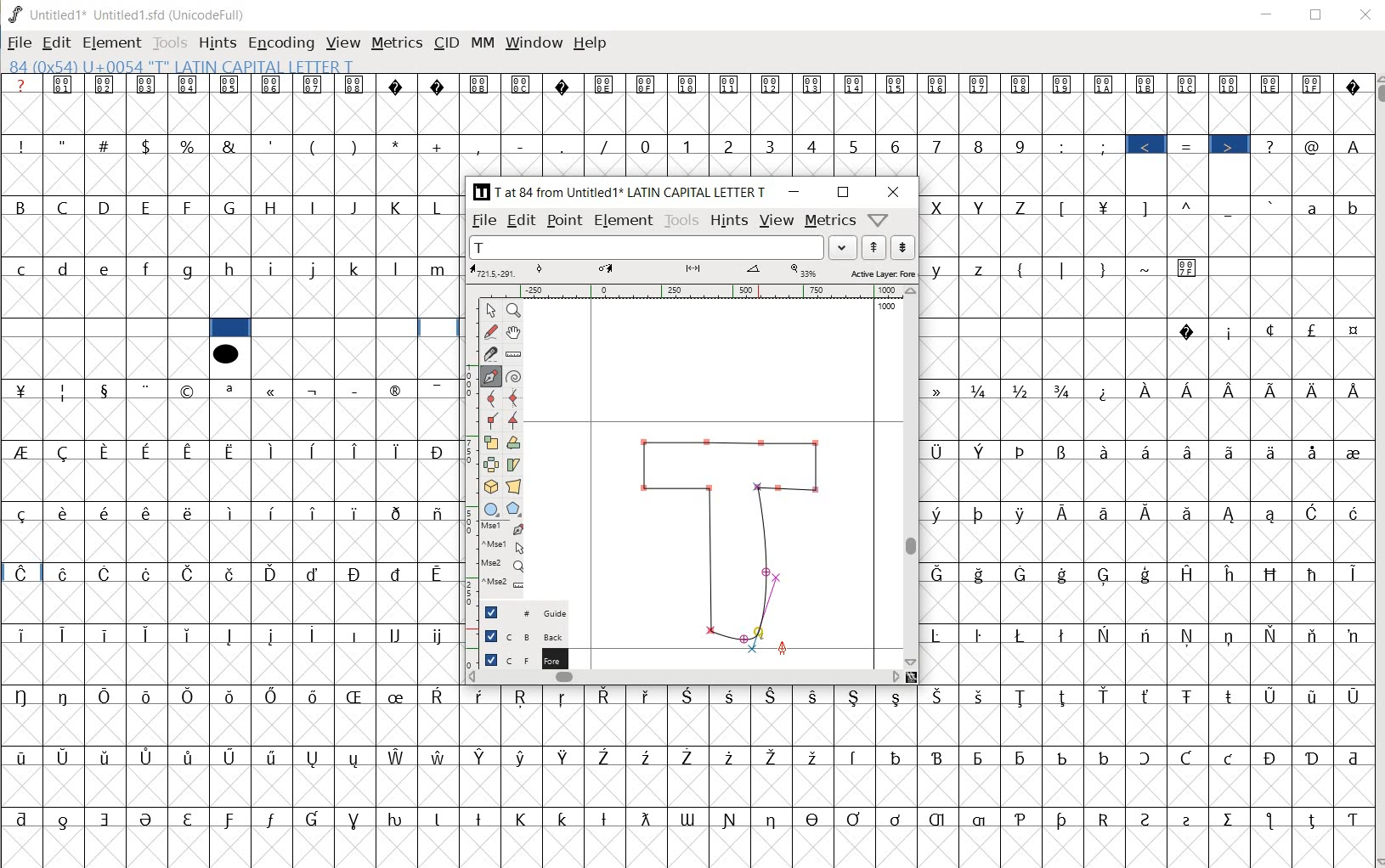  Describe the element at coordinates (1313, 636) in the screenshot. I see `Symbol` at that location.